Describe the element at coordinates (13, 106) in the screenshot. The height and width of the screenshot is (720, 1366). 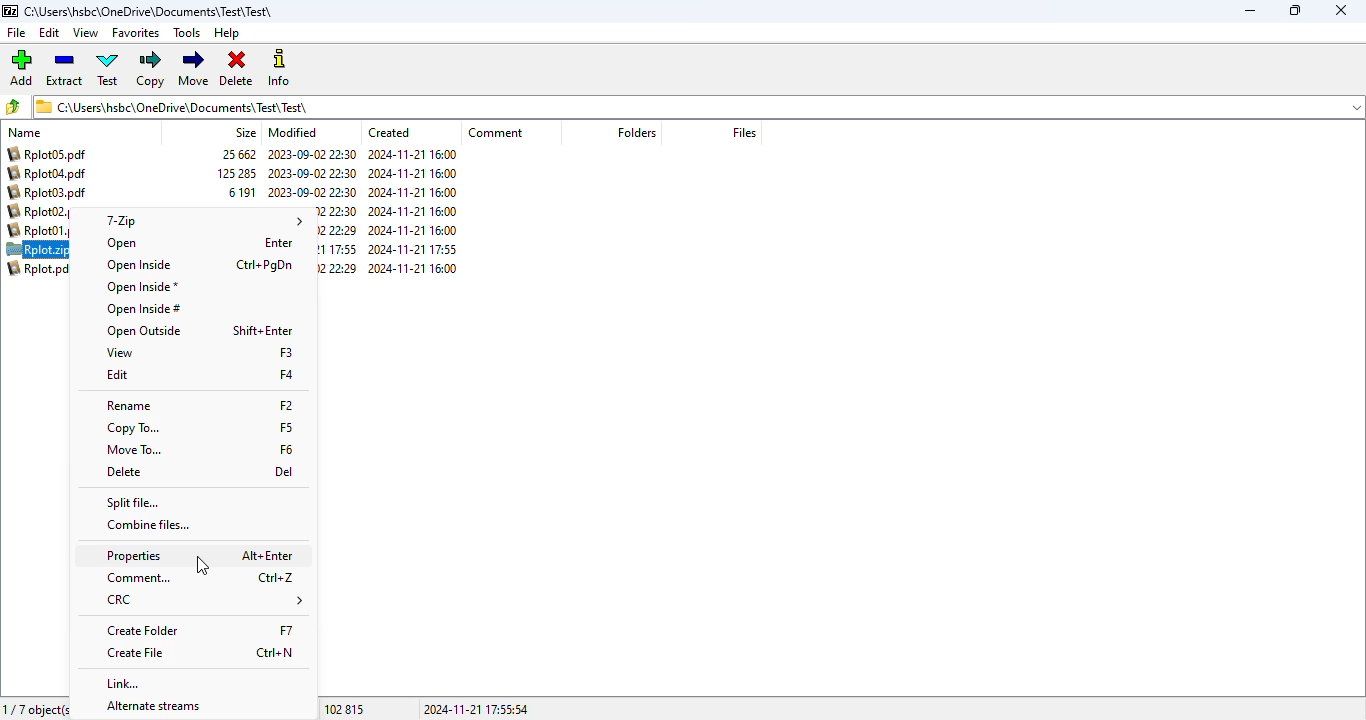
I see `browse folders` at that location.